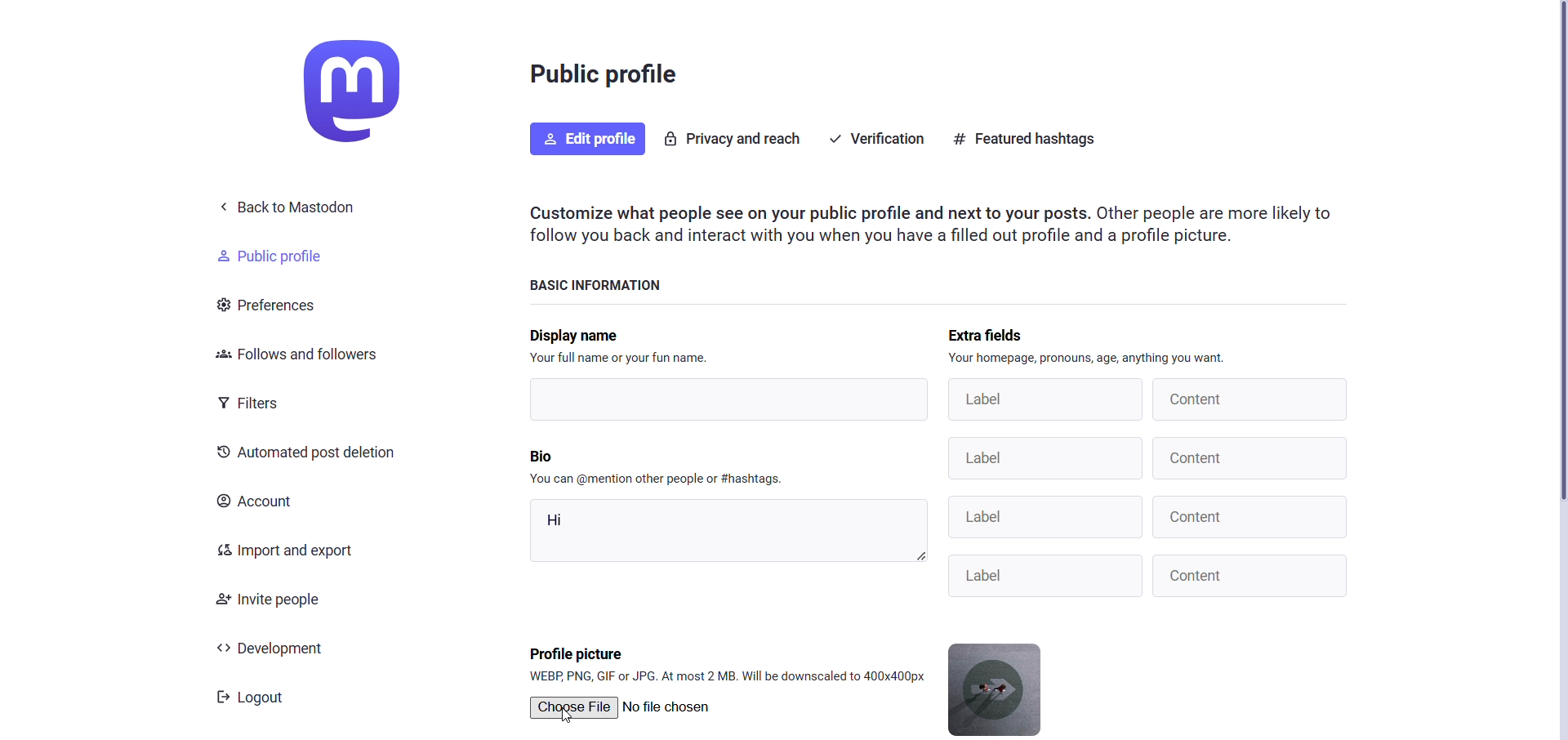  Describe the element at coordinates (1252, 516) in the screenshot. I see `Content` at that location.